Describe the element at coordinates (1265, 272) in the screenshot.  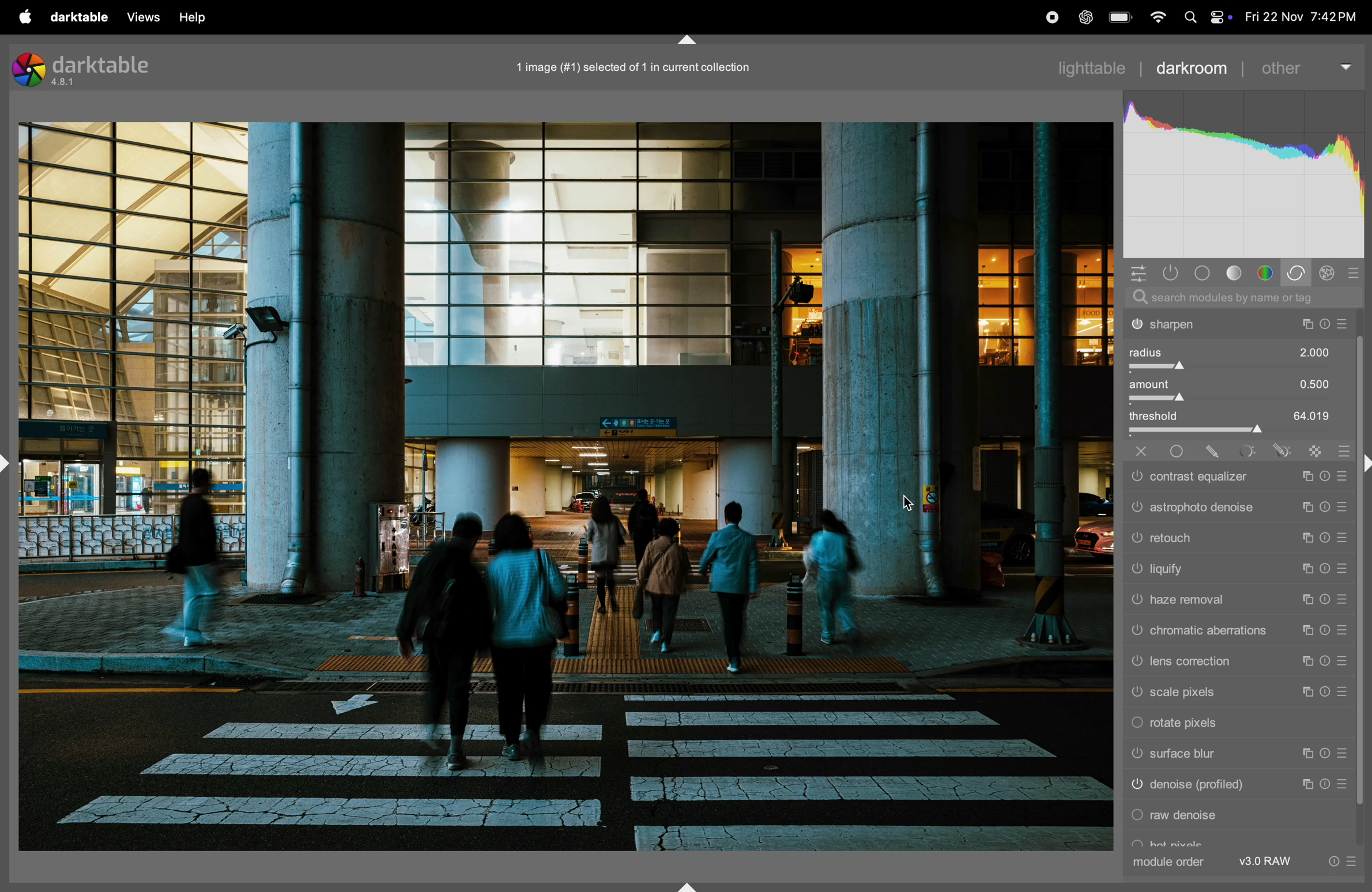
I see `colors` at that location.